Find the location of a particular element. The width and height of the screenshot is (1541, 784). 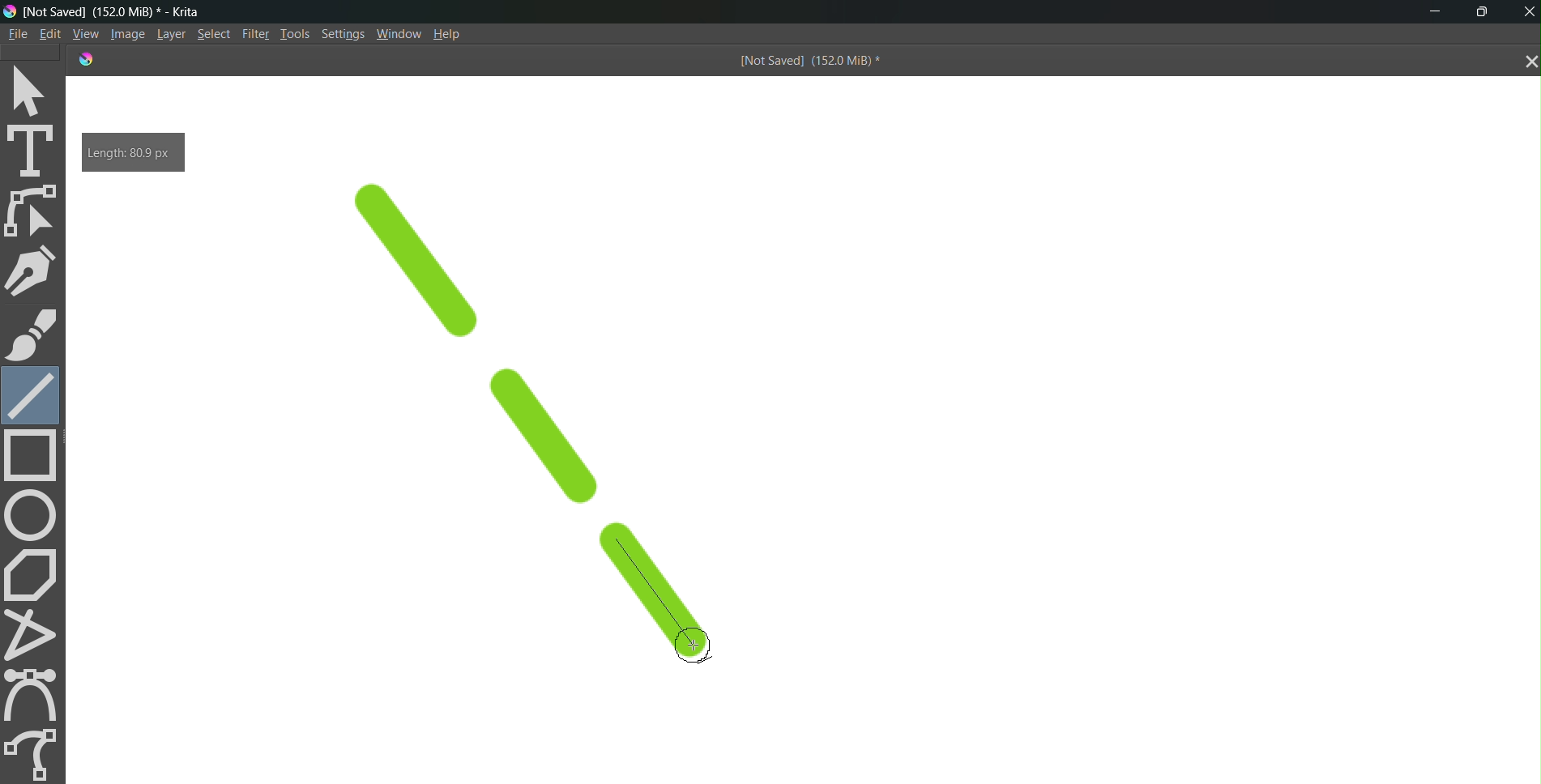

curve tool is located at coordinates (36, 694).